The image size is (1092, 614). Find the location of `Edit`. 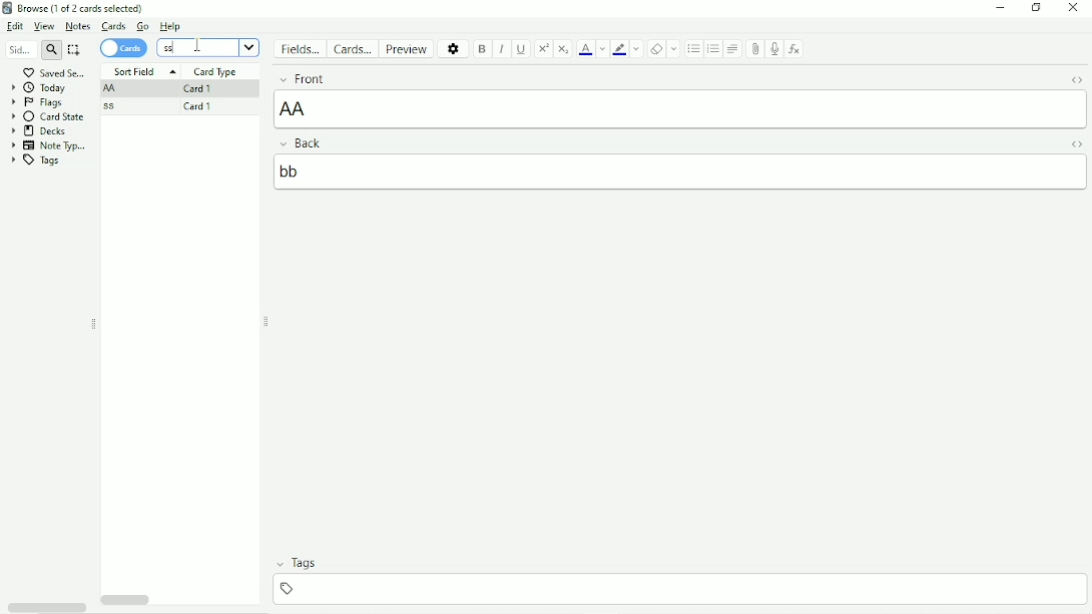

Edit is located at coordinates (16, 27).